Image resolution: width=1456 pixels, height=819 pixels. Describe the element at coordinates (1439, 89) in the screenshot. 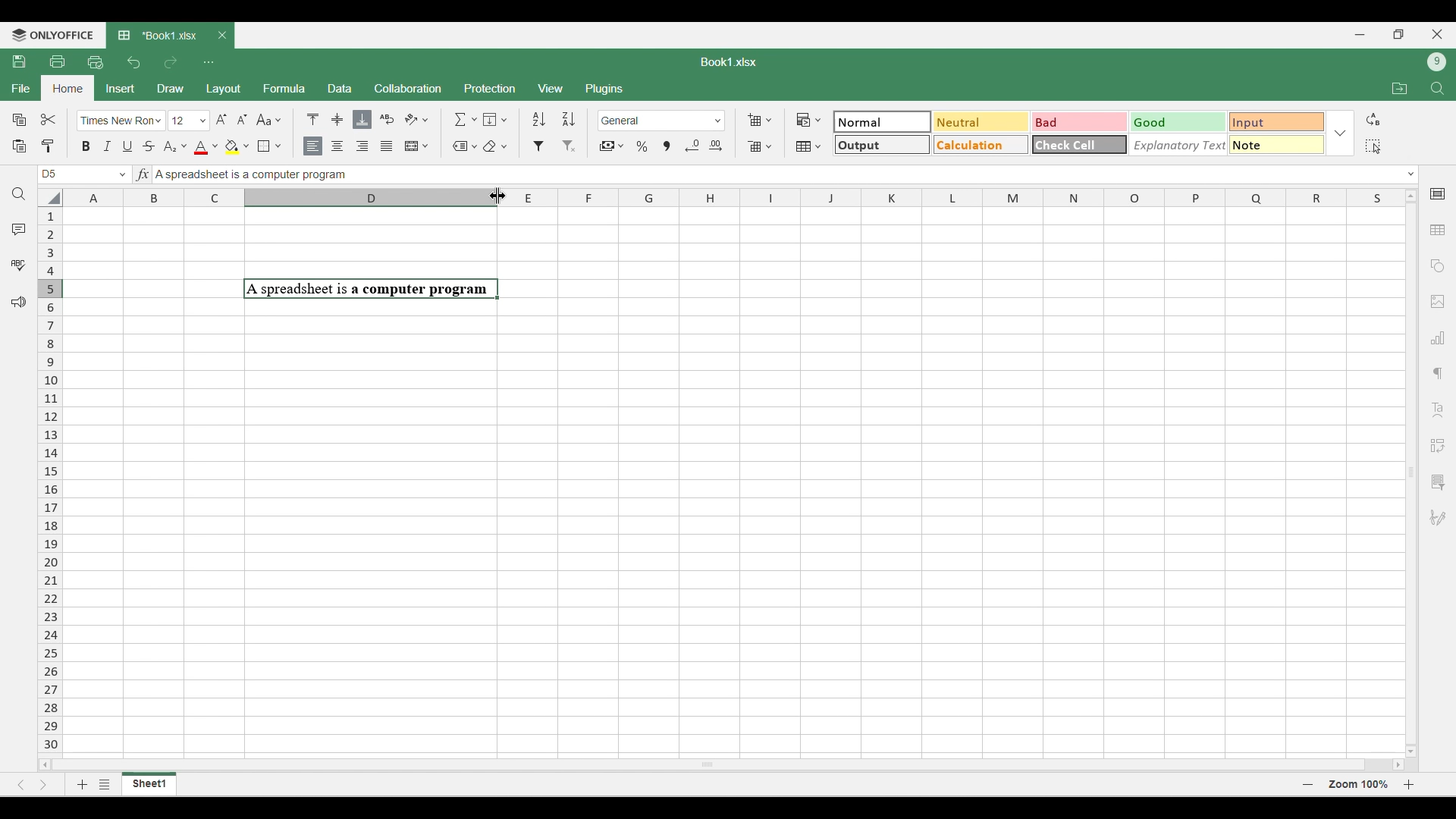

I see `Find` at that location.